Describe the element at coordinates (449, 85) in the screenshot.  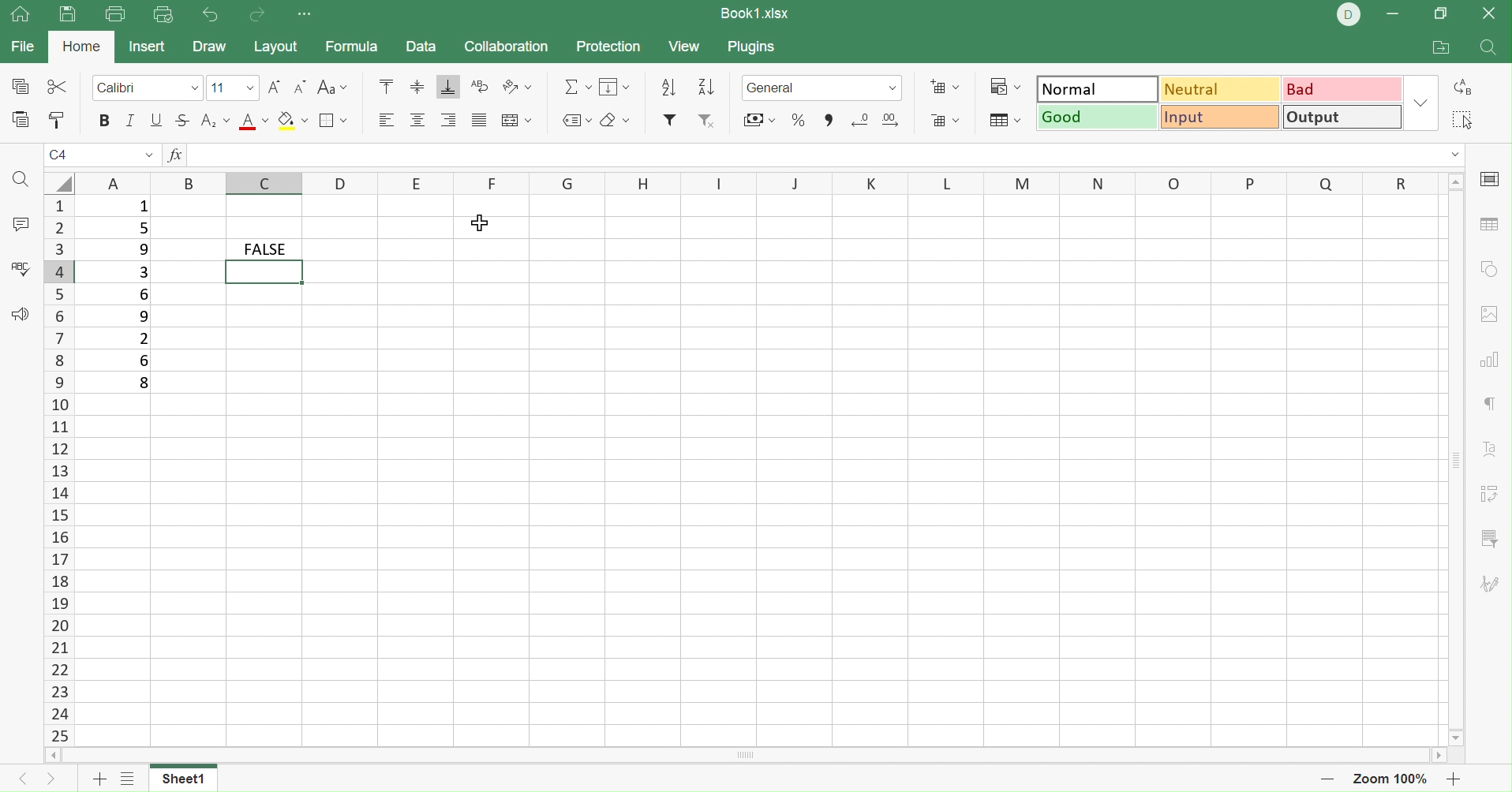
I see `Align bottom` at that location.